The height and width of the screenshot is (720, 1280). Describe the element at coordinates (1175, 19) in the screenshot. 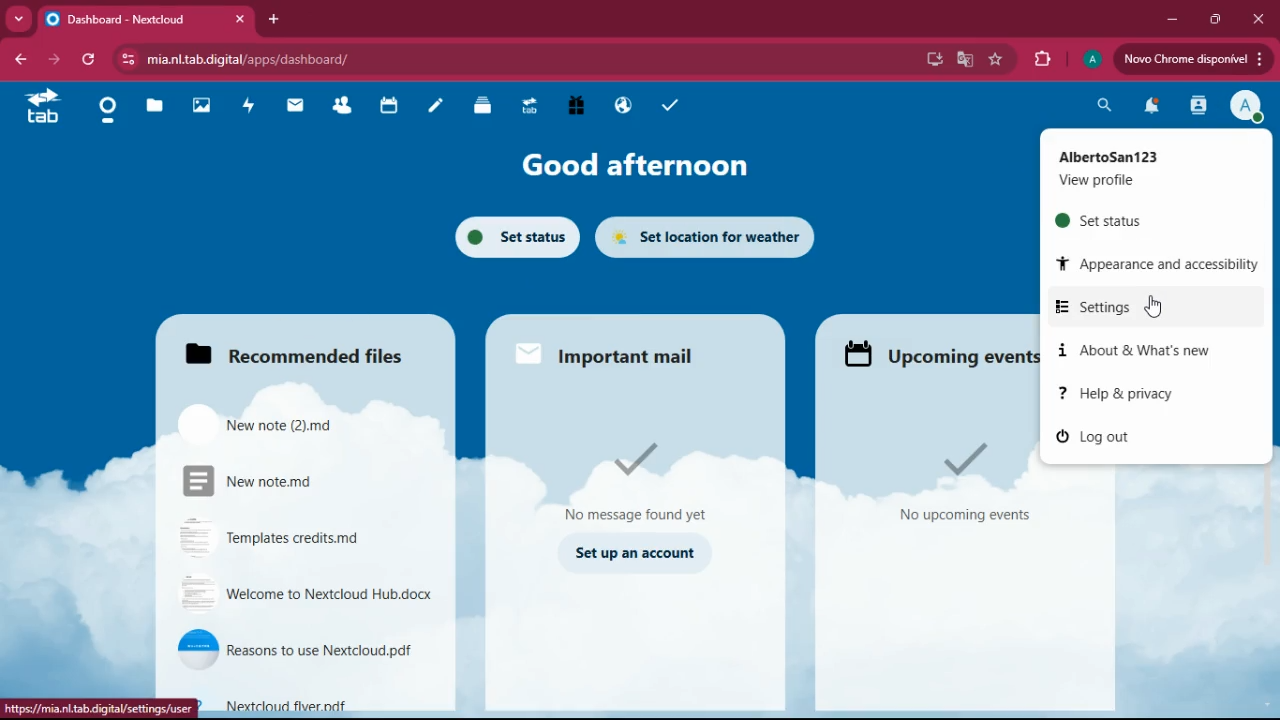

I see `minimize` at that location.